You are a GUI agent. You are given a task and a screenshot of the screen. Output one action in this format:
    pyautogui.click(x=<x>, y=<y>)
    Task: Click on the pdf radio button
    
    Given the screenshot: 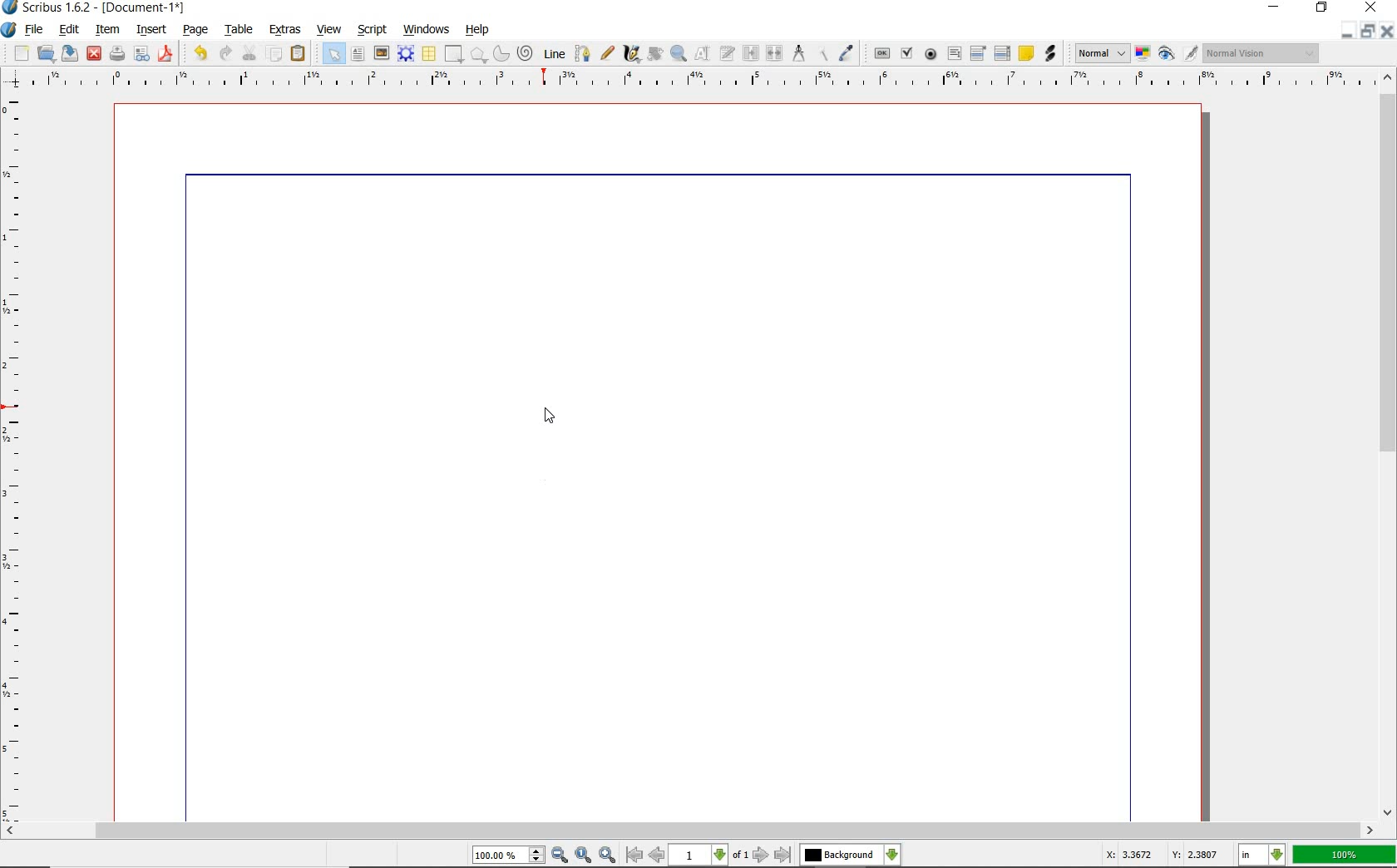 What is the action you would take?
    pyautogui.click(x=931, y=55)
    